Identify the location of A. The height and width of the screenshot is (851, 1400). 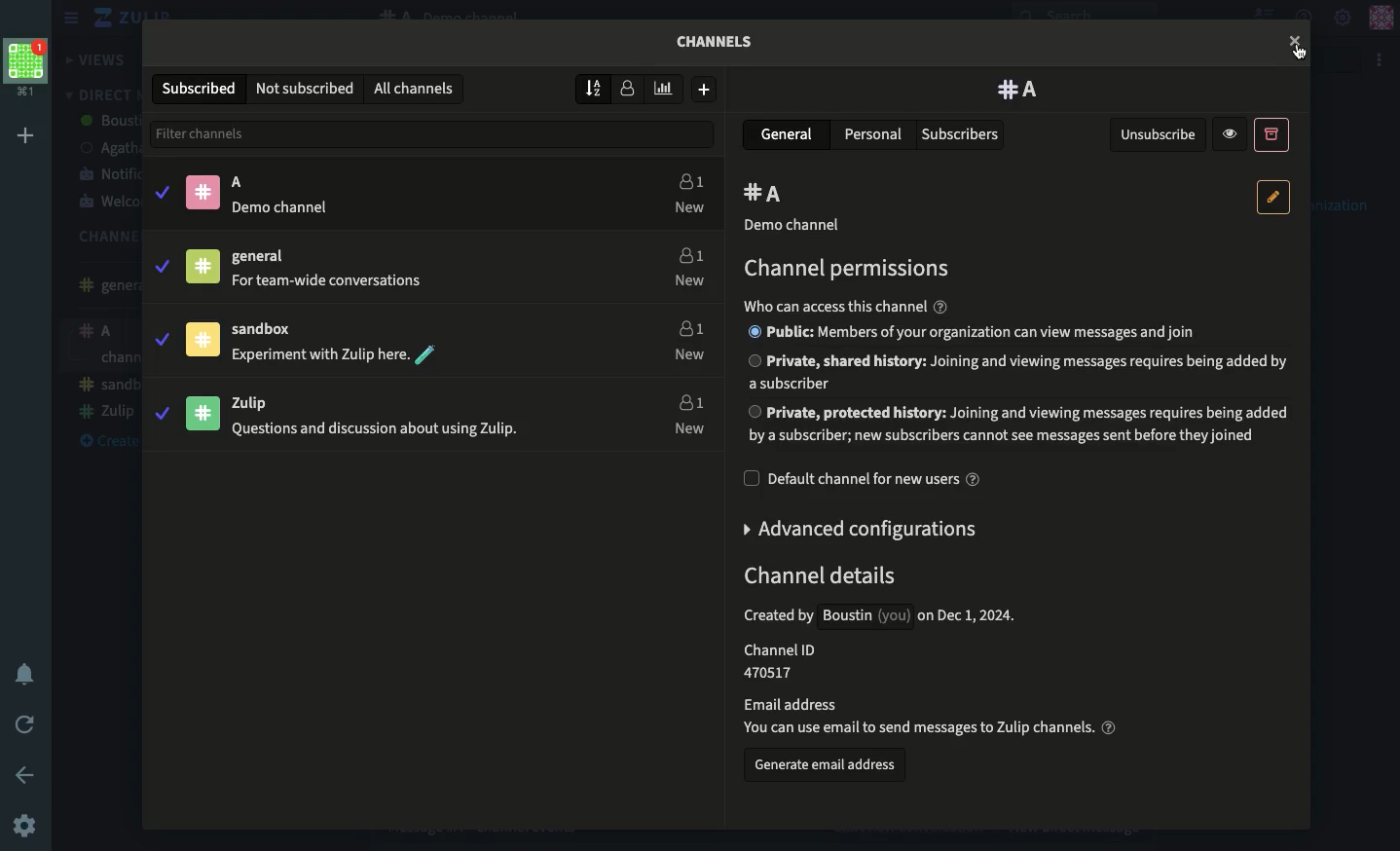
(767, 195).